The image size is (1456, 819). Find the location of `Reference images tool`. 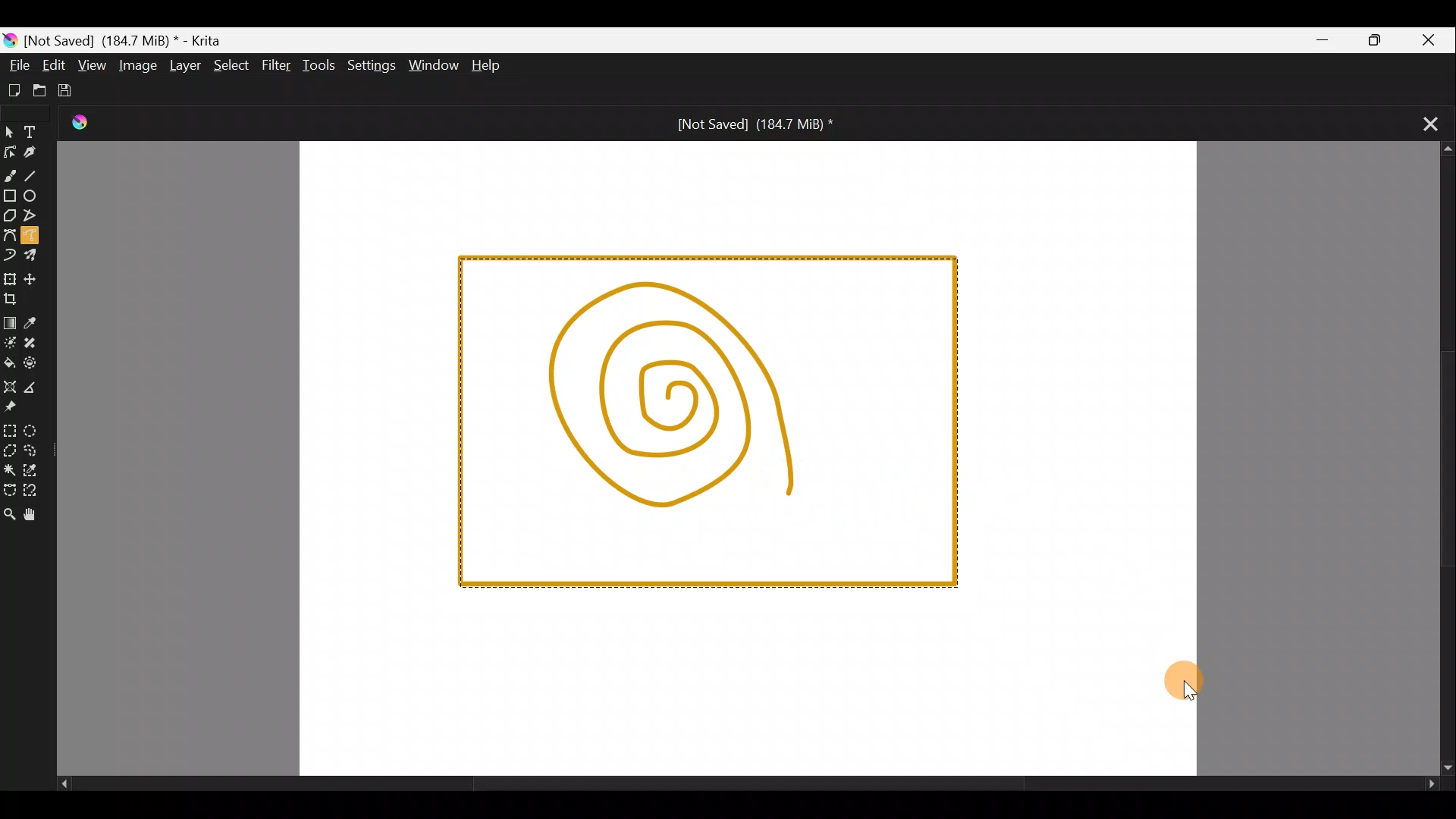

Reference images tool is located at coordinates (17, 408).